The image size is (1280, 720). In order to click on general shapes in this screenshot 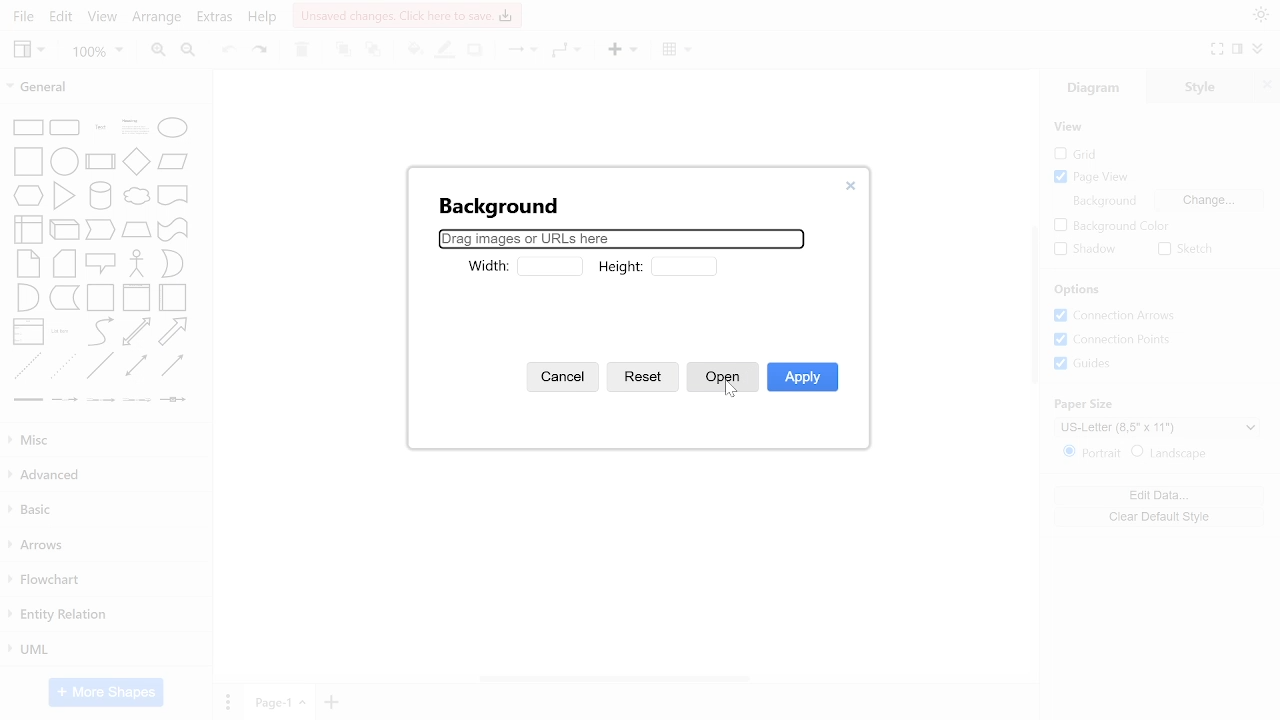, I will do `click(26, 126)`.